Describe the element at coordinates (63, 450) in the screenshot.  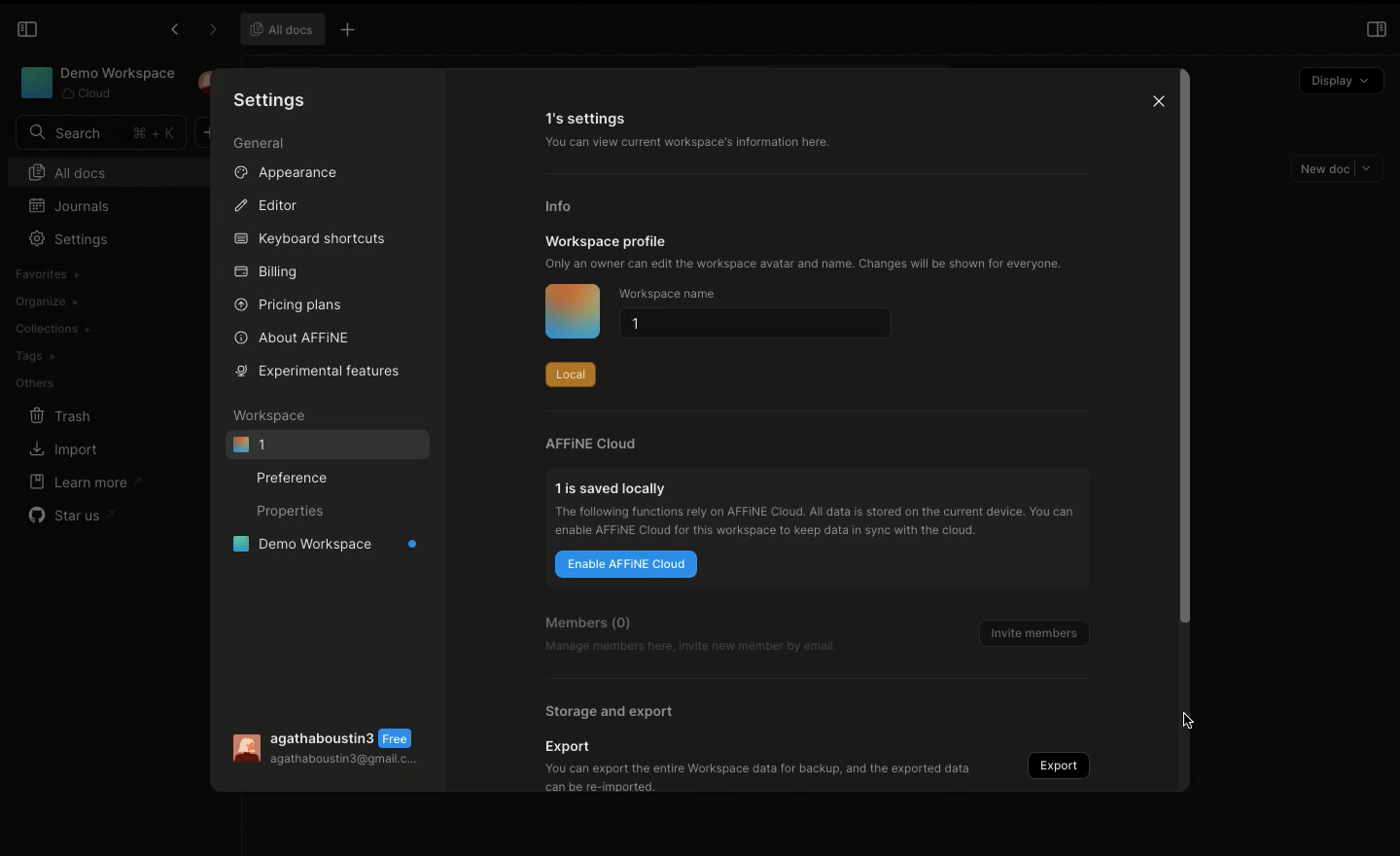
I see `Import` at that location.